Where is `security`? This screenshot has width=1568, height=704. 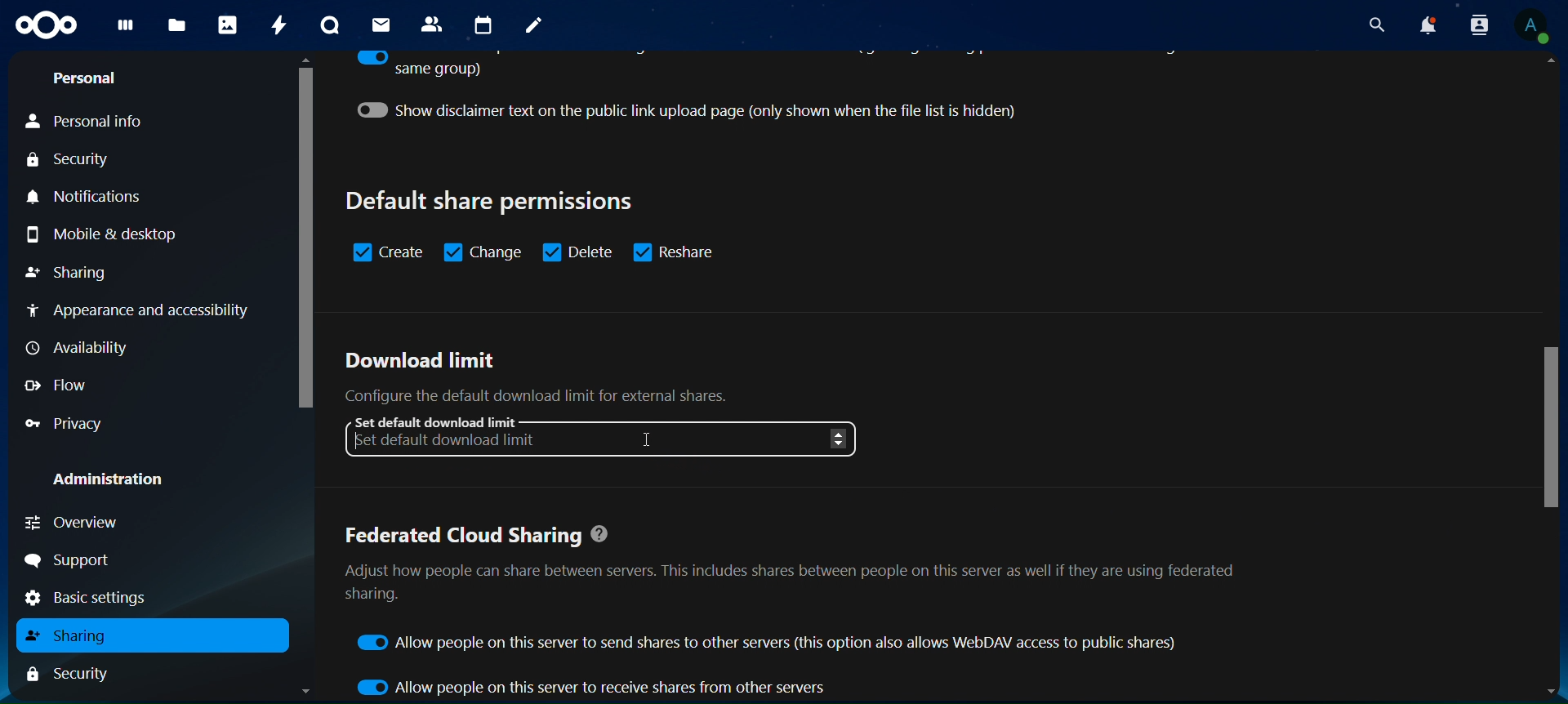 security is located at coordinates (68, 672).